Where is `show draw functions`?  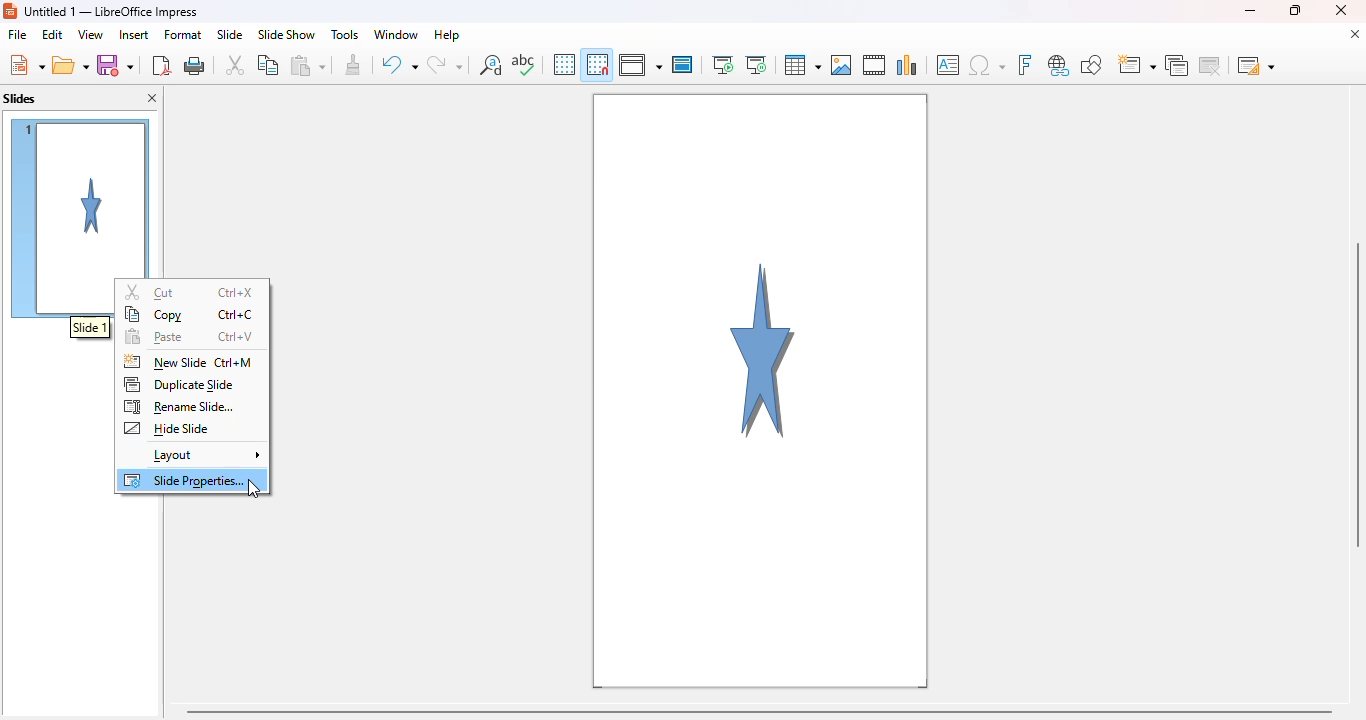 show draw functions is located at coordinates (1091, 65).